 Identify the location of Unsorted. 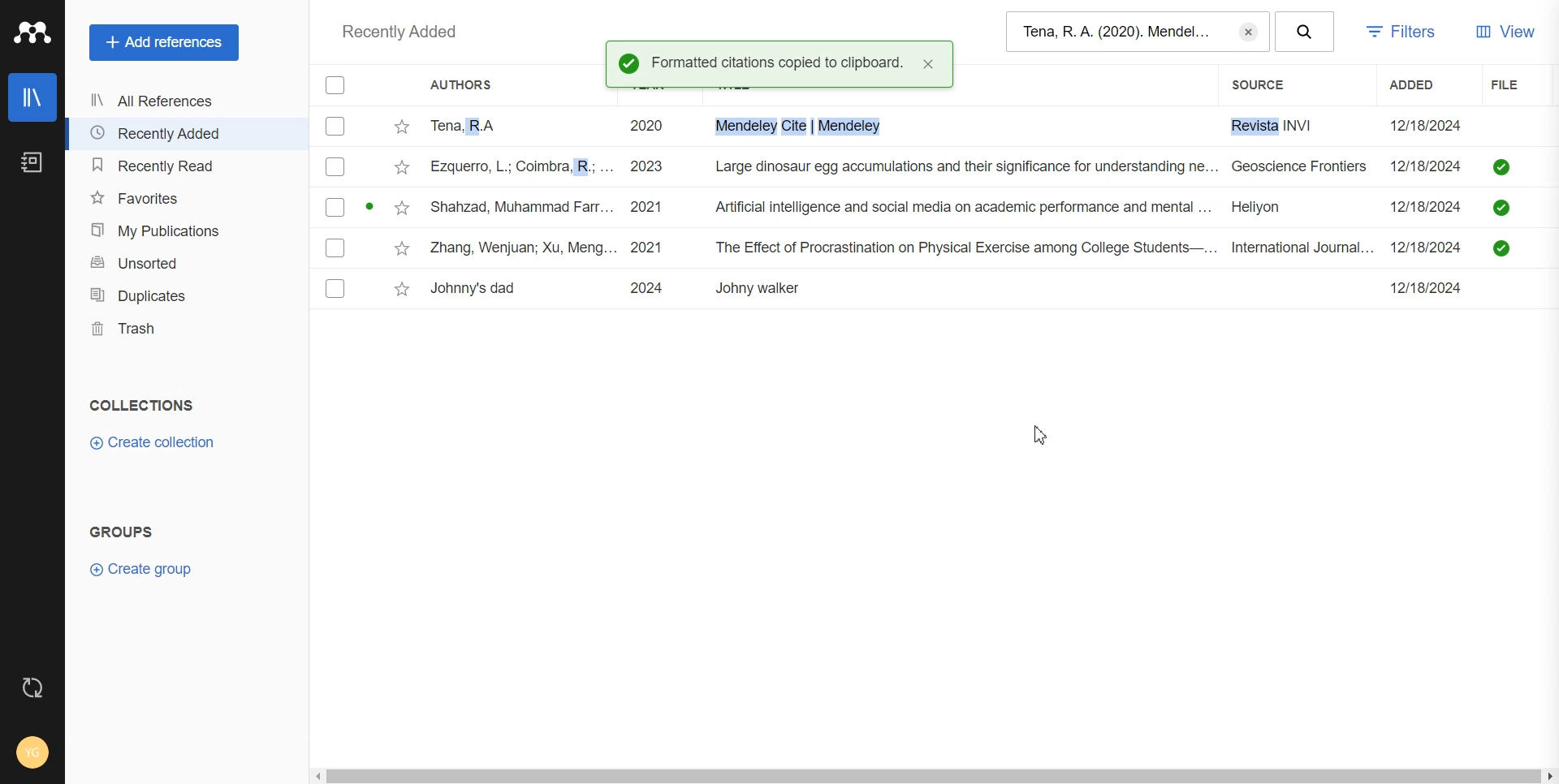
(188, 263).